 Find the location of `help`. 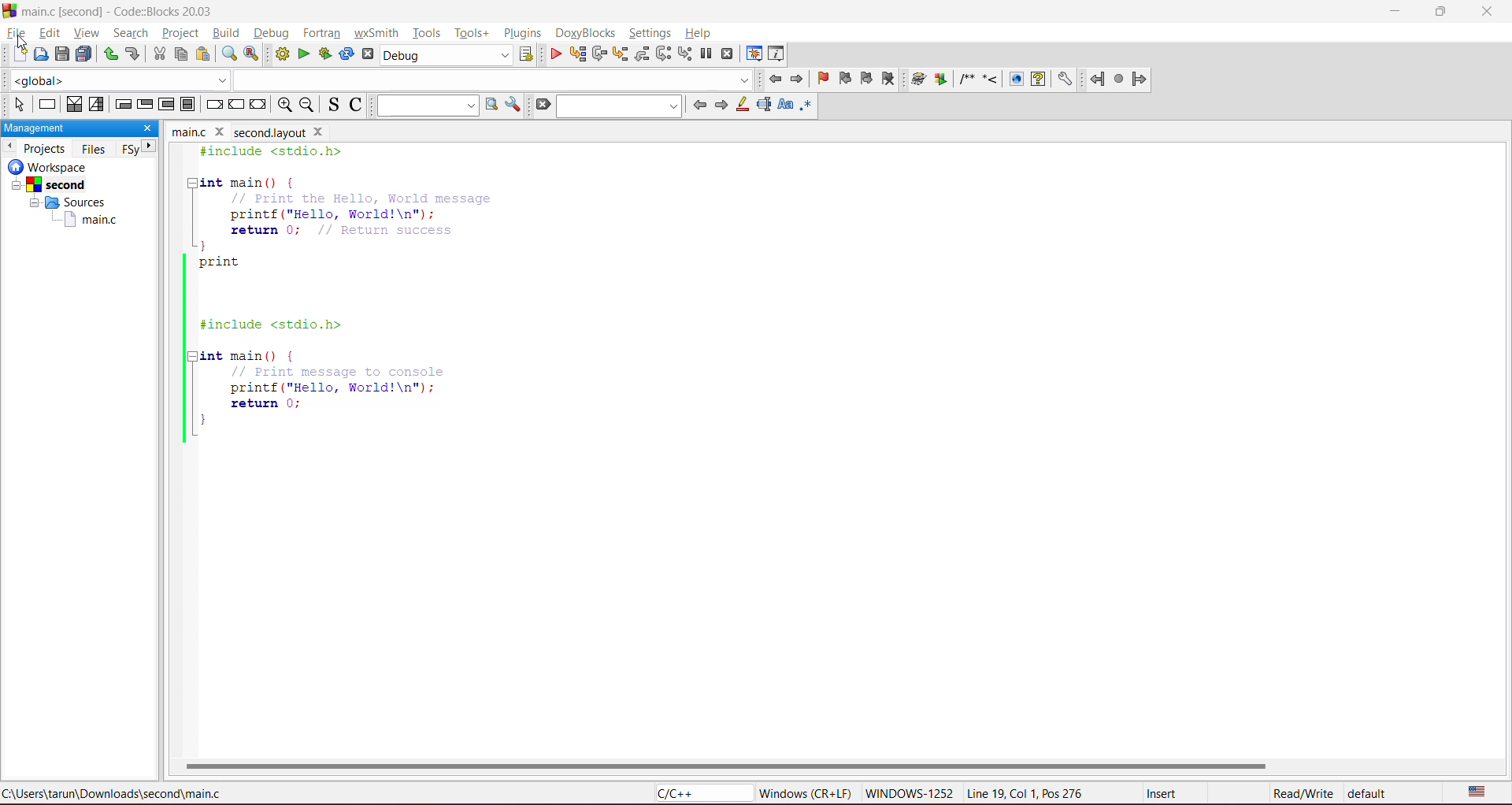

help is located at coordinates (695, 34).